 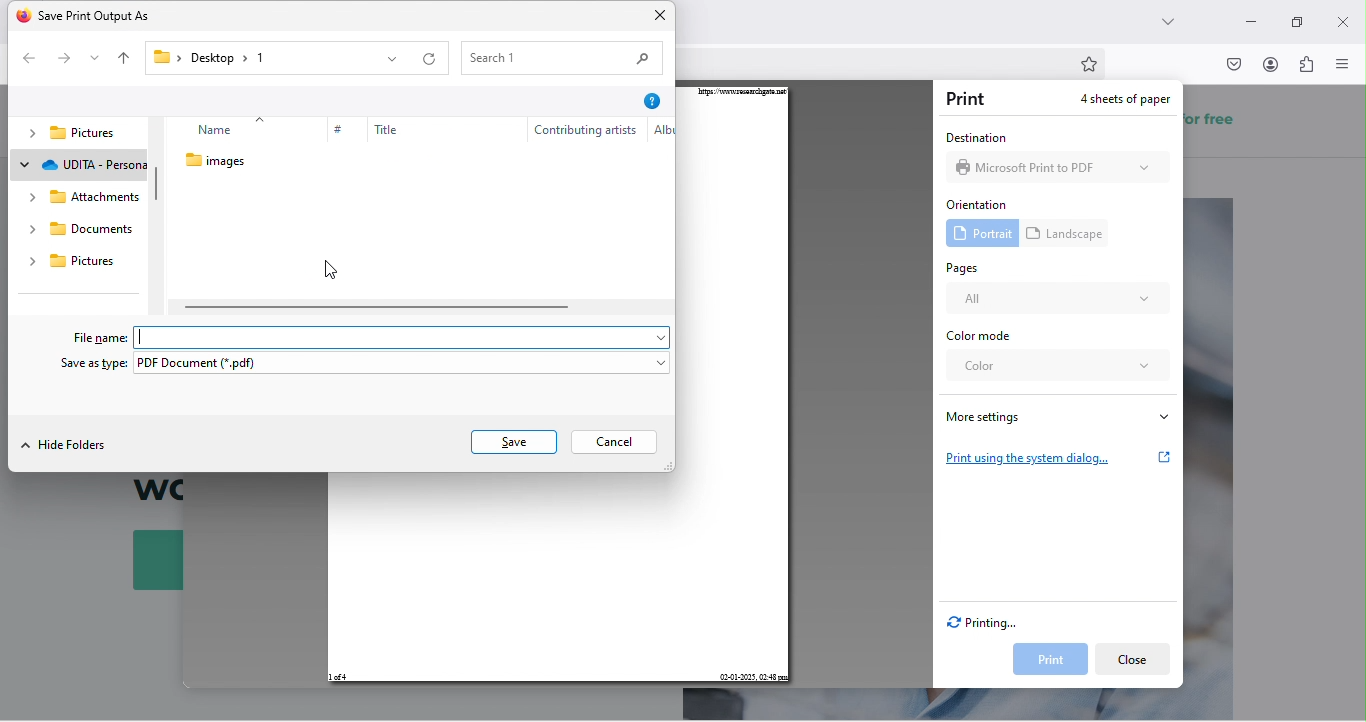 I want to click on close, so click(x=1343, y=17).